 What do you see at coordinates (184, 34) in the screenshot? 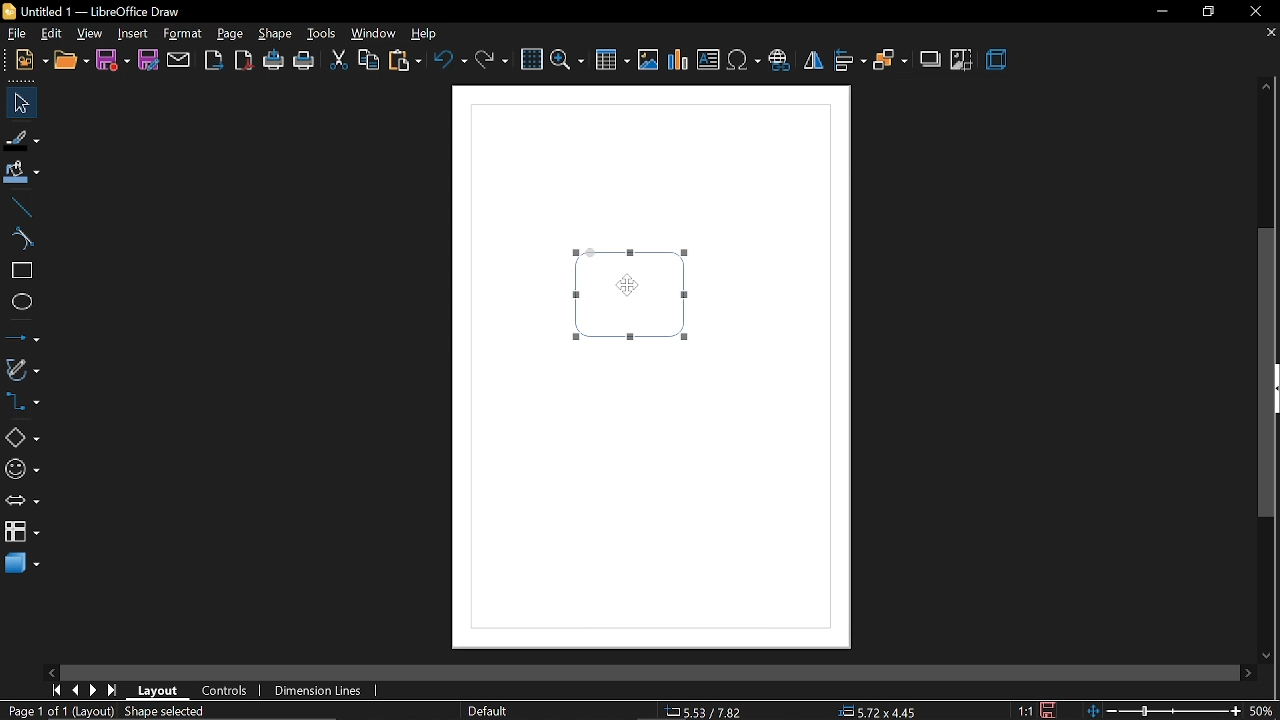
I see `format` at bounding box center [184, 34].